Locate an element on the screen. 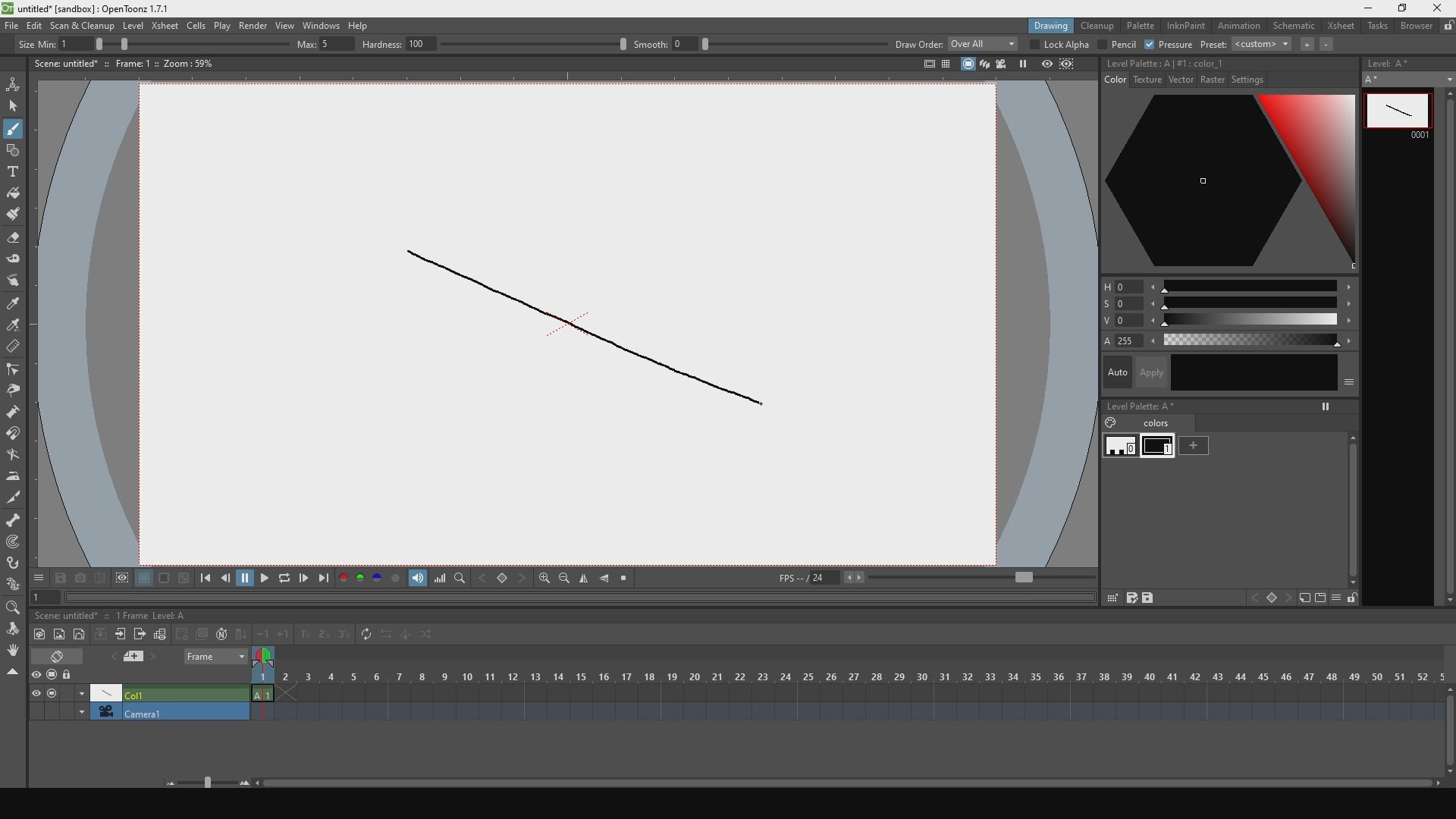  A is located at coordinates (1408, 80).